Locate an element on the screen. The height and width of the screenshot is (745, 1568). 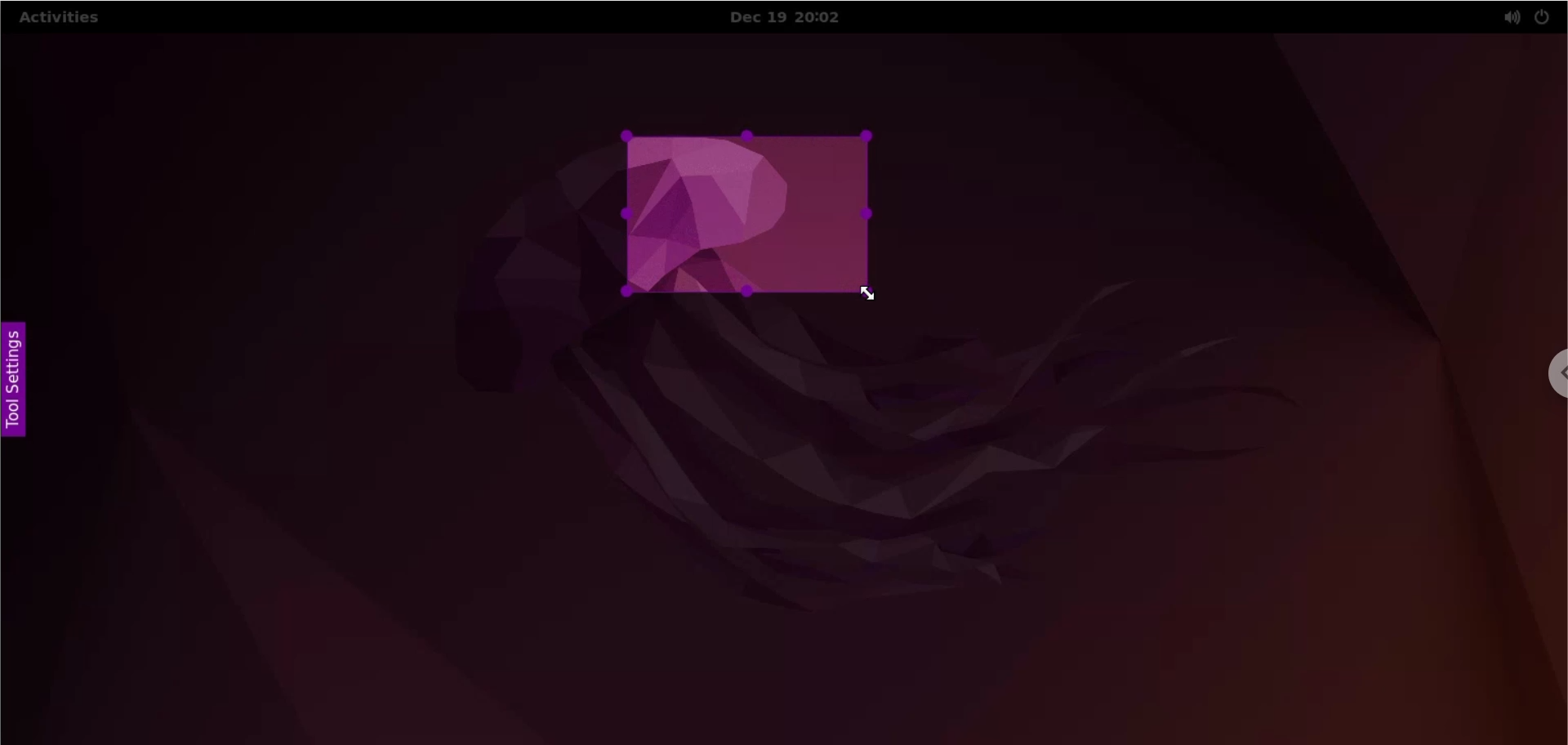
sound settings options is located at coordinates (1508, 19).